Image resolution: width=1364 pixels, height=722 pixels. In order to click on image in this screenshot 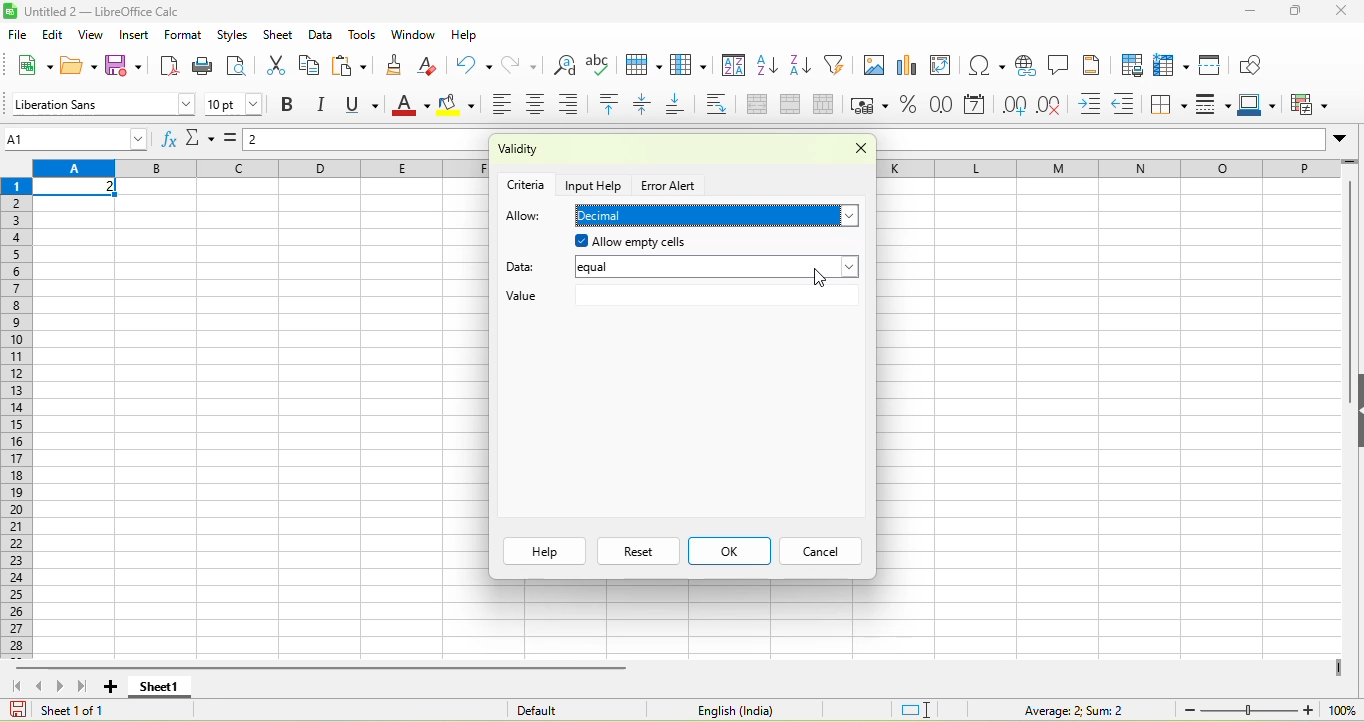, I will do `click(873, 67)`.